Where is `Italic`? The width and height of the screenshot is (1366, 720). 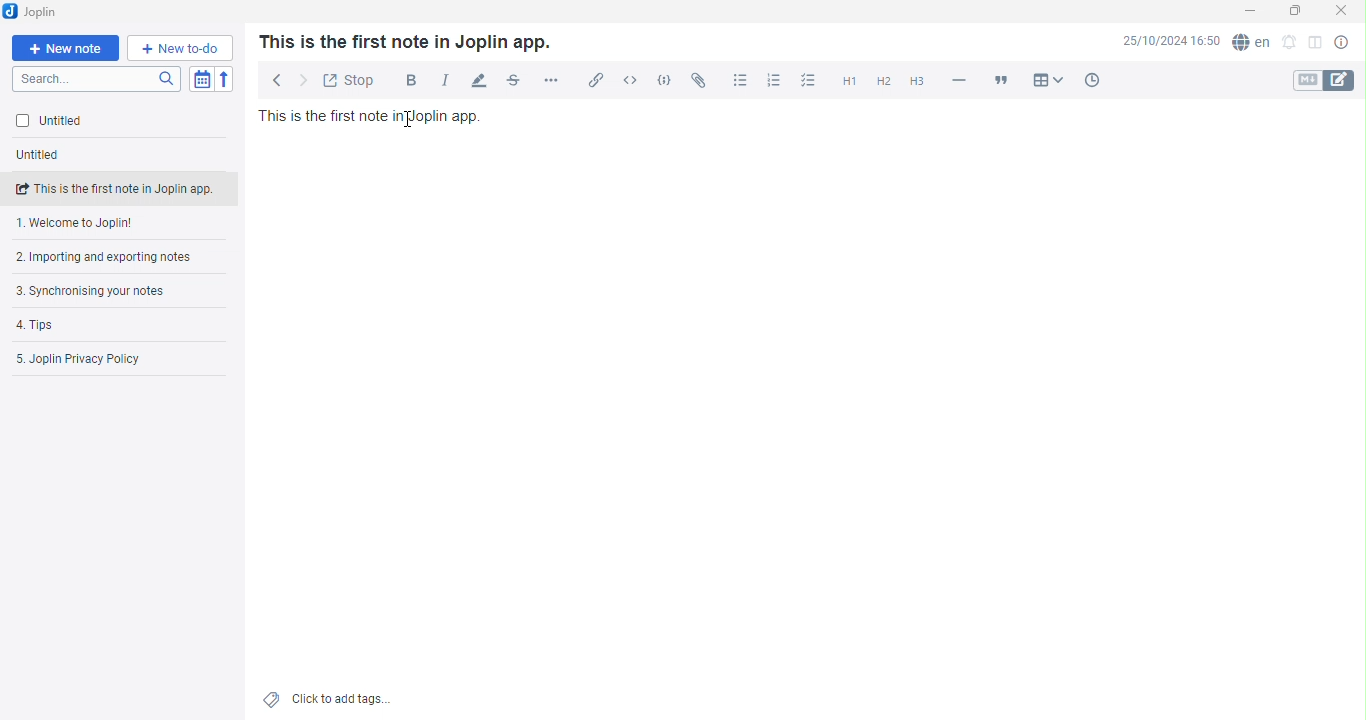 Italic is located at coordinates (440, 80).